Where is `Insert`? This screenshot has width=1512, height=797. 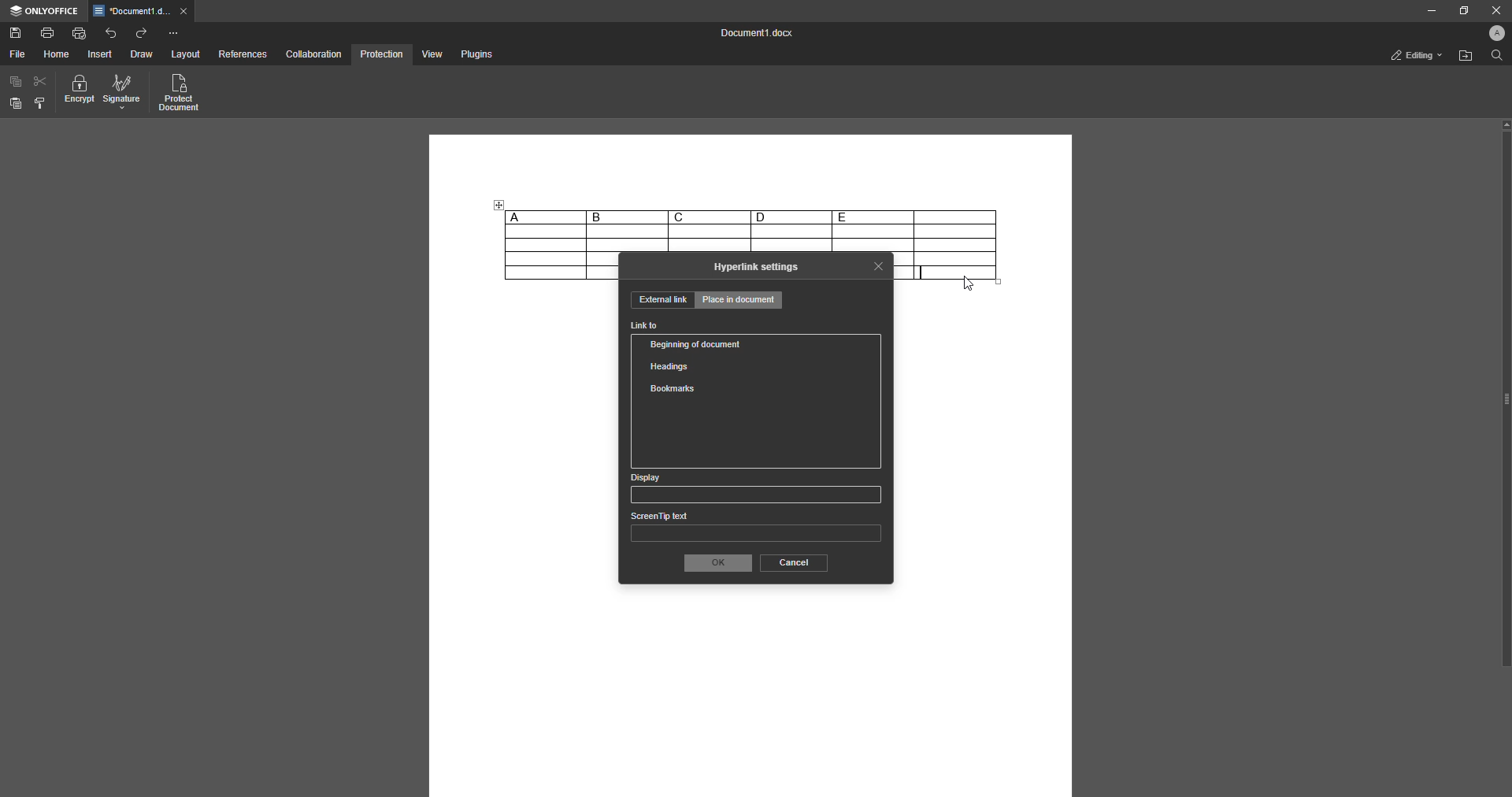 Insert is located at coordinates (101, 54).